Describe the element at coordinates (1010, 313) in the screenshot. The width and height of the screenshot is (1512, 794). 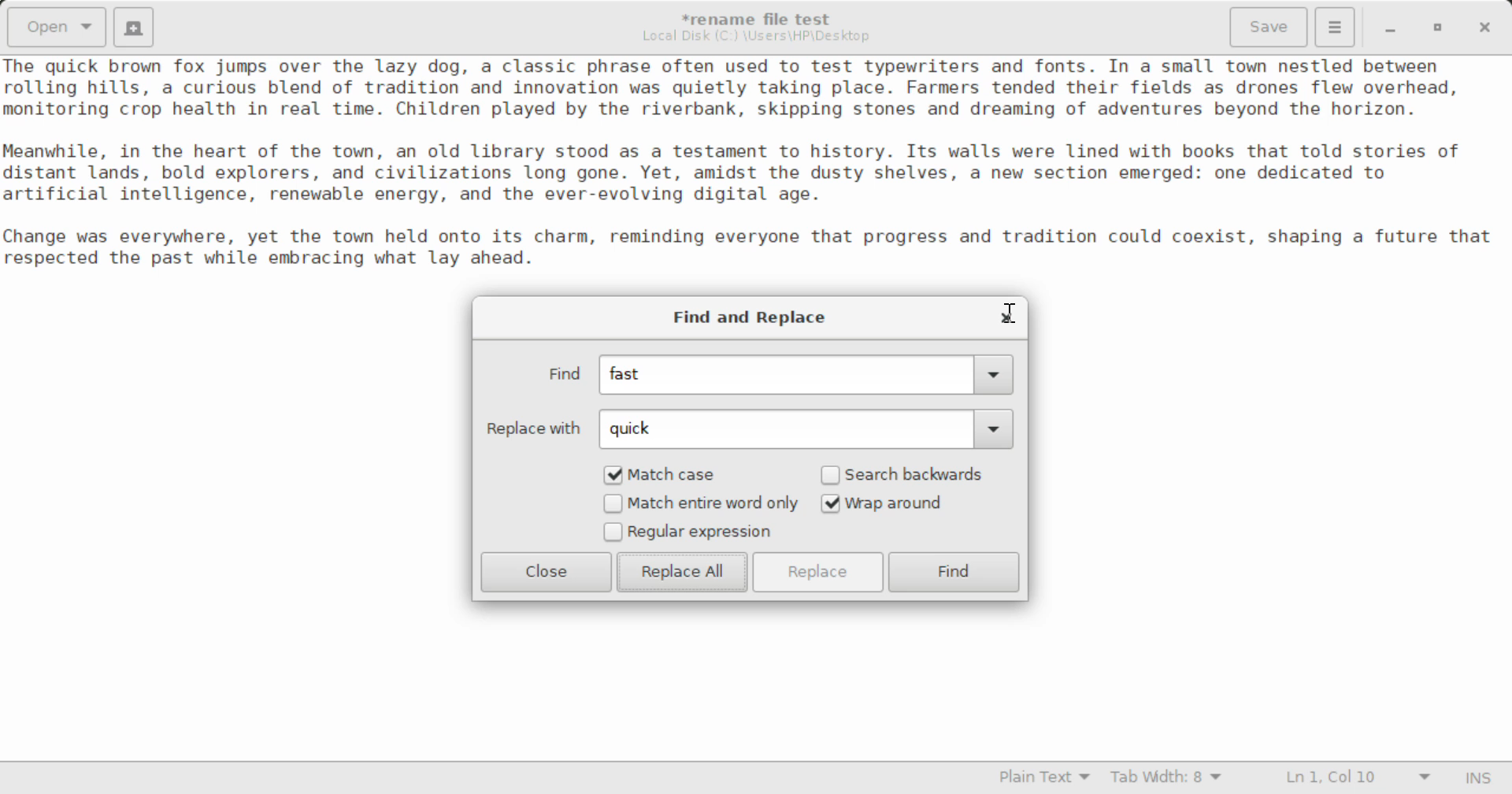
I see `Cursor on Close Window Button` at that location.